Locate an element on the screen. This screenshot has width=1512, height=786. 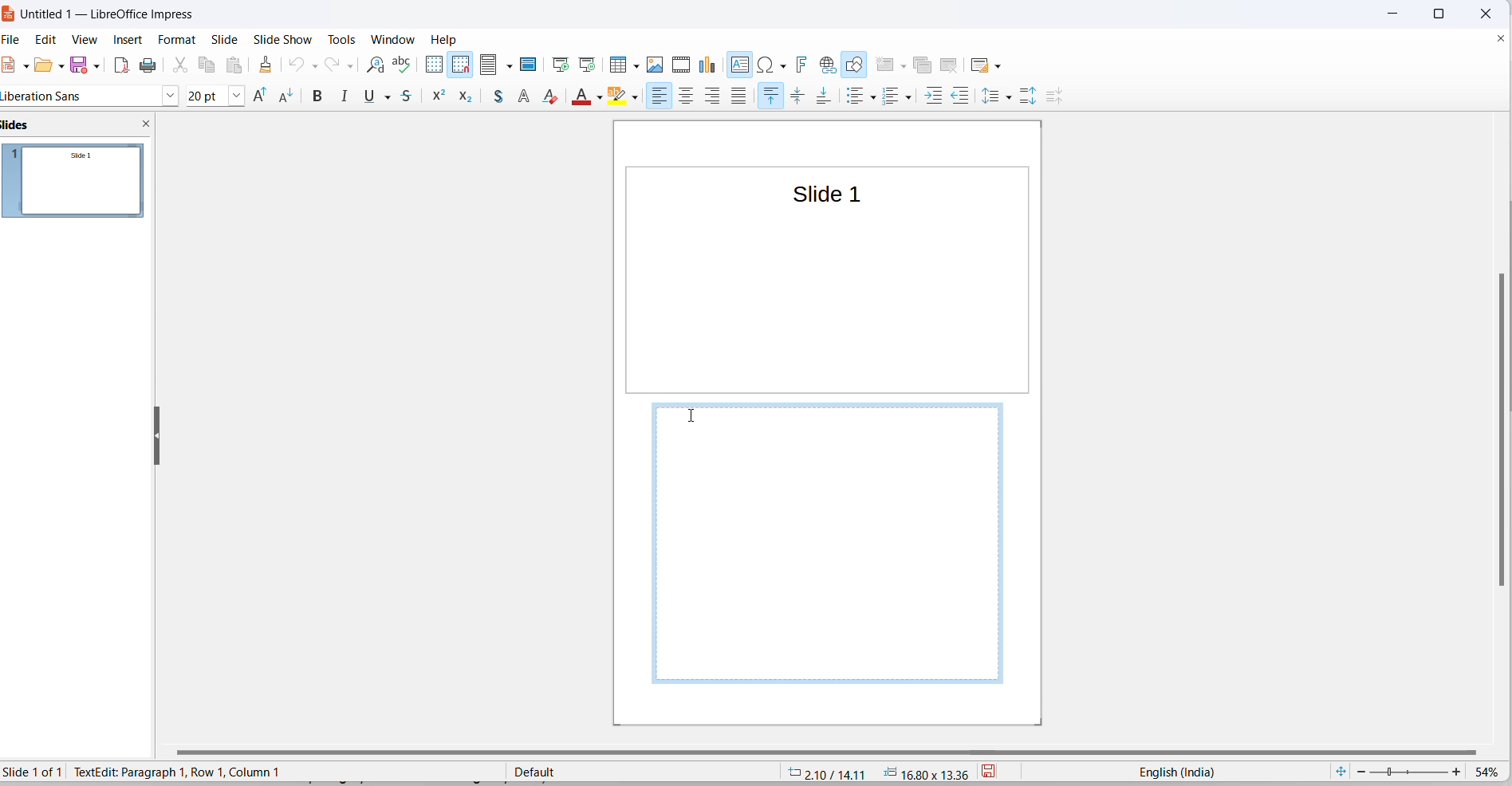
line and arrows is located at coordinates (229, 97).